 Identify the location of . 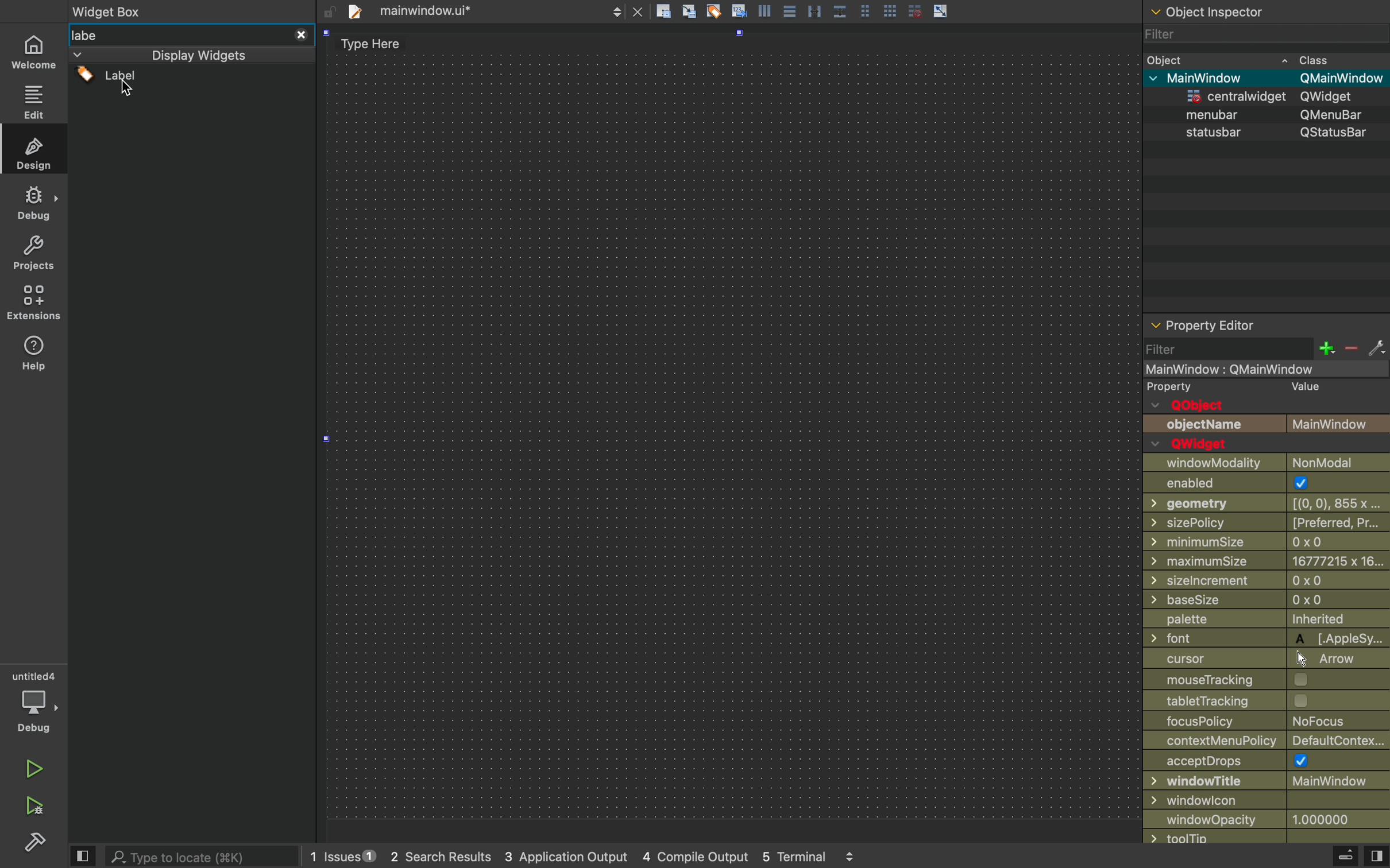
(1267, 640).